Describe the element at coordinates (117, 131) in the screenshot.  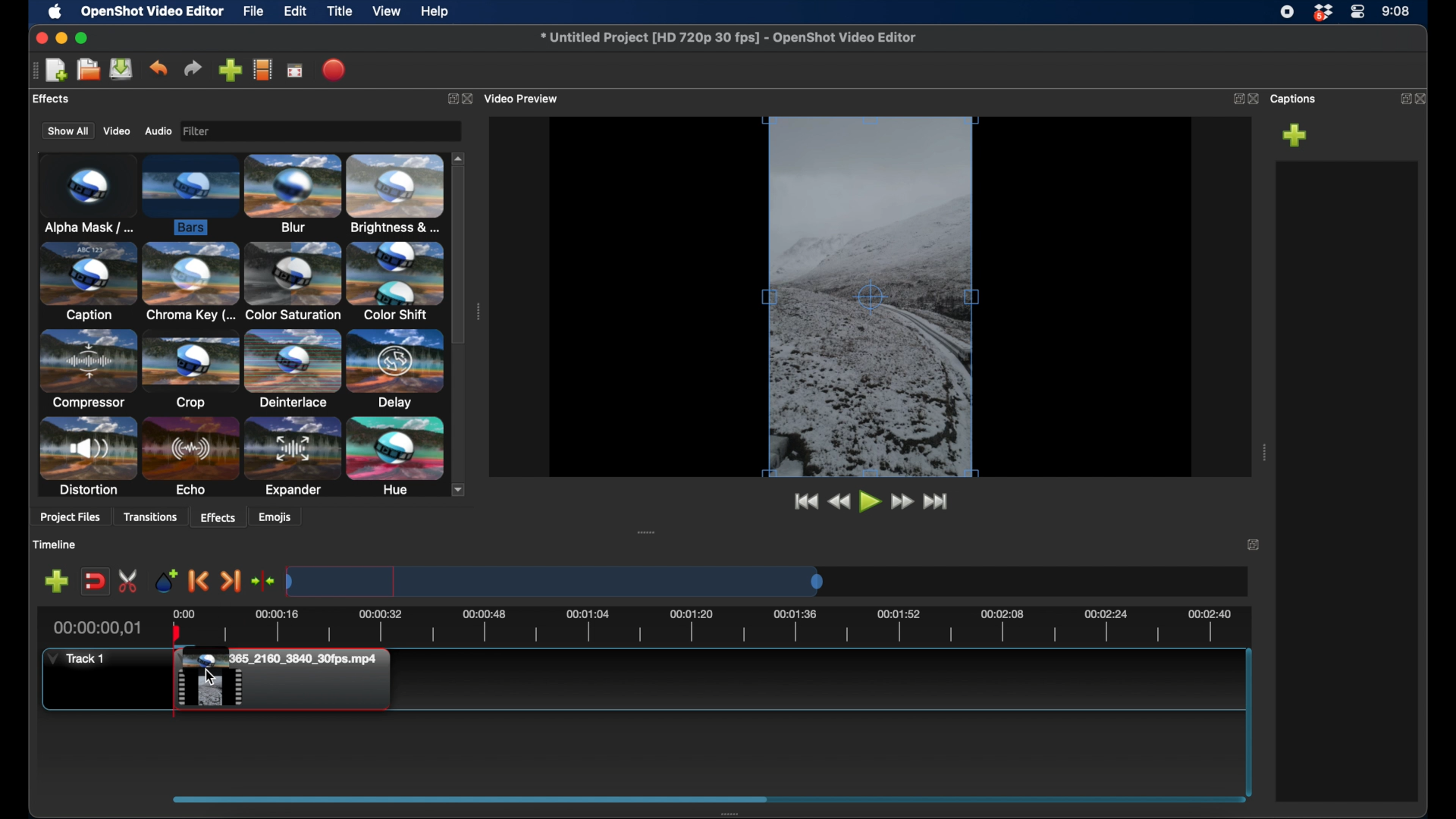
I see `video` at that location.